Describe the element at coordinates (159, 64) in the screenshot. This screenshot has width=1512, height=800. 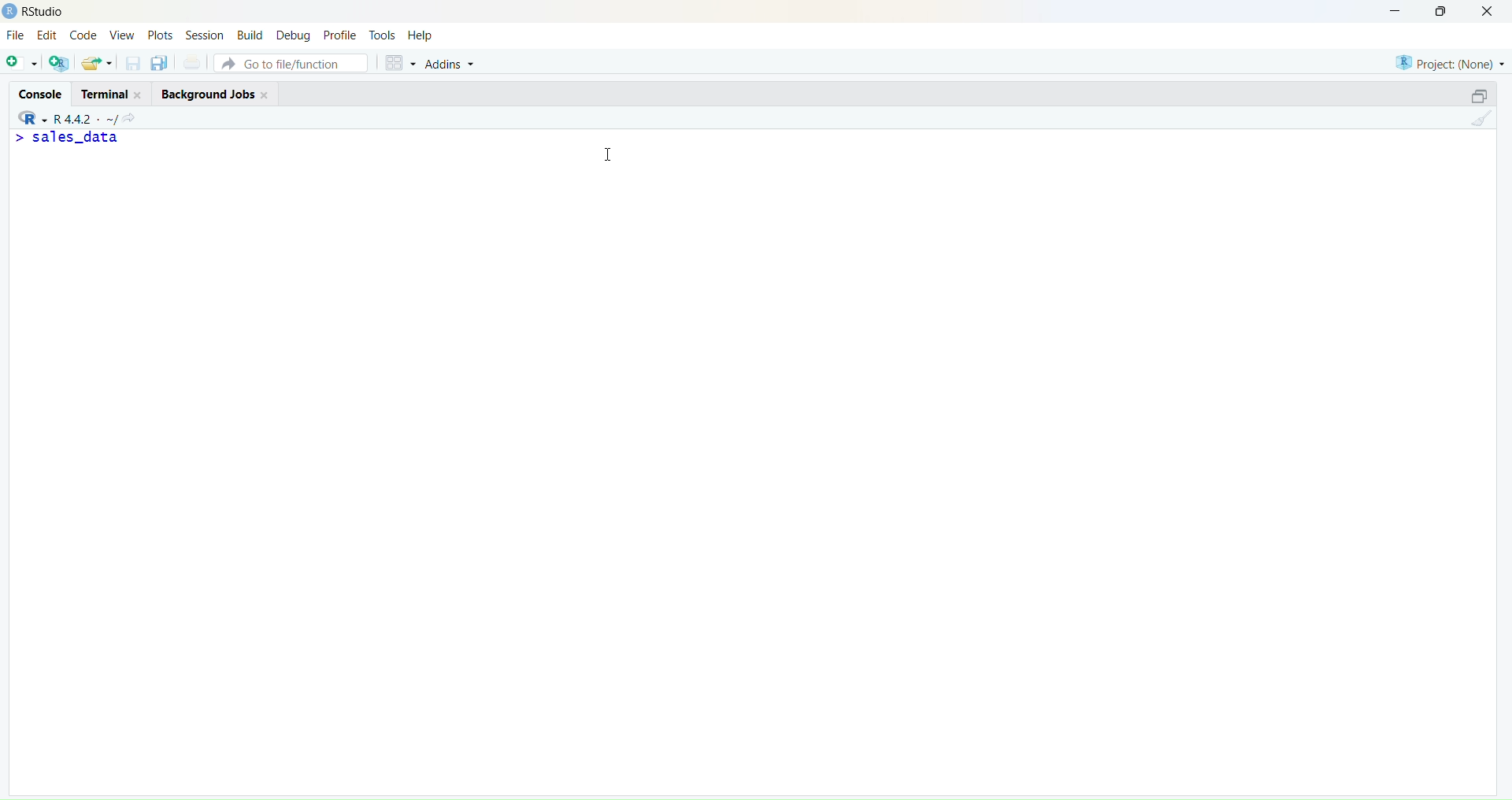
I see `save as` at that location.